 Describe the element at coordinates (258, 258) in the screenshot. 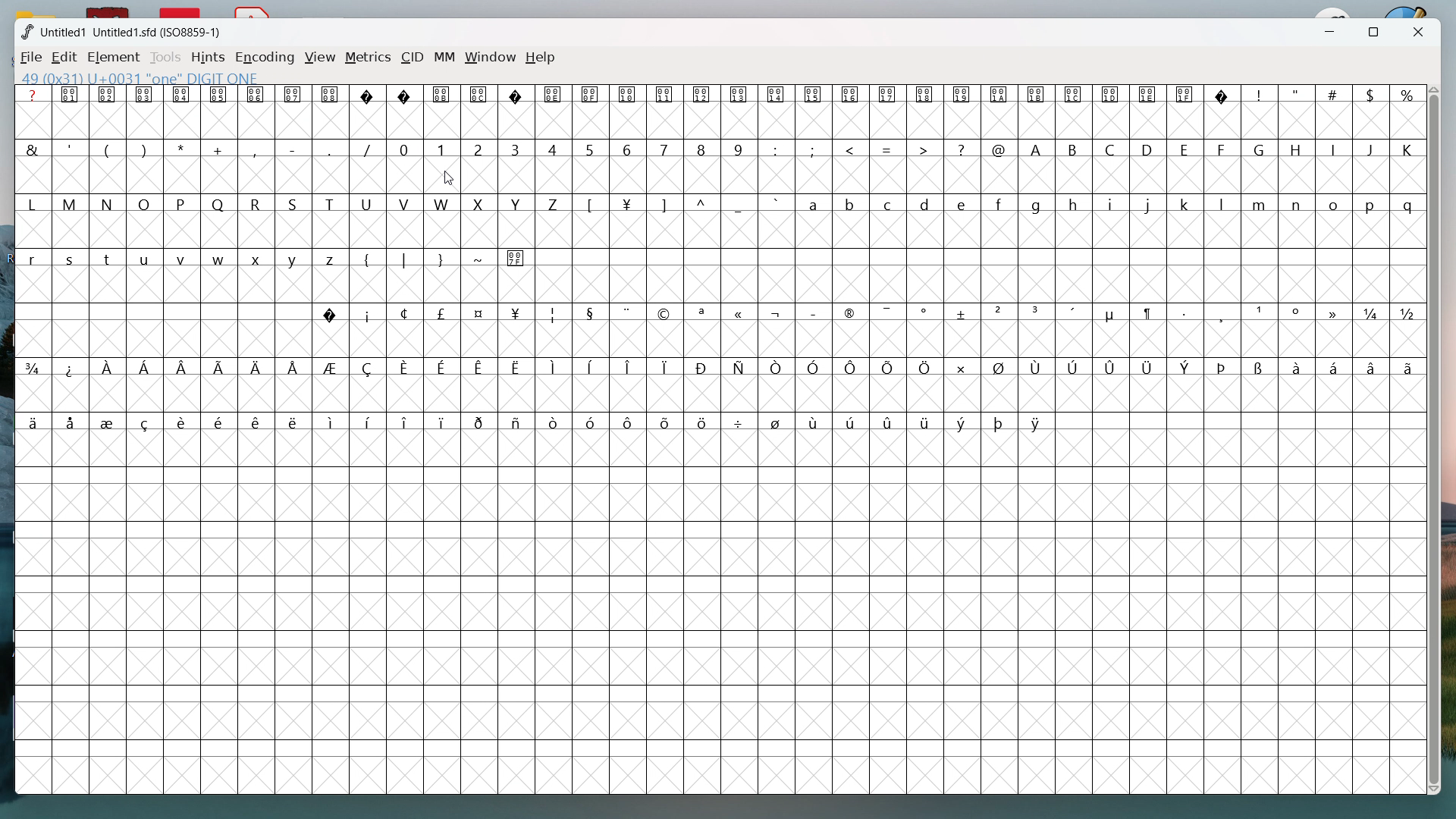

I see `x` at that location.